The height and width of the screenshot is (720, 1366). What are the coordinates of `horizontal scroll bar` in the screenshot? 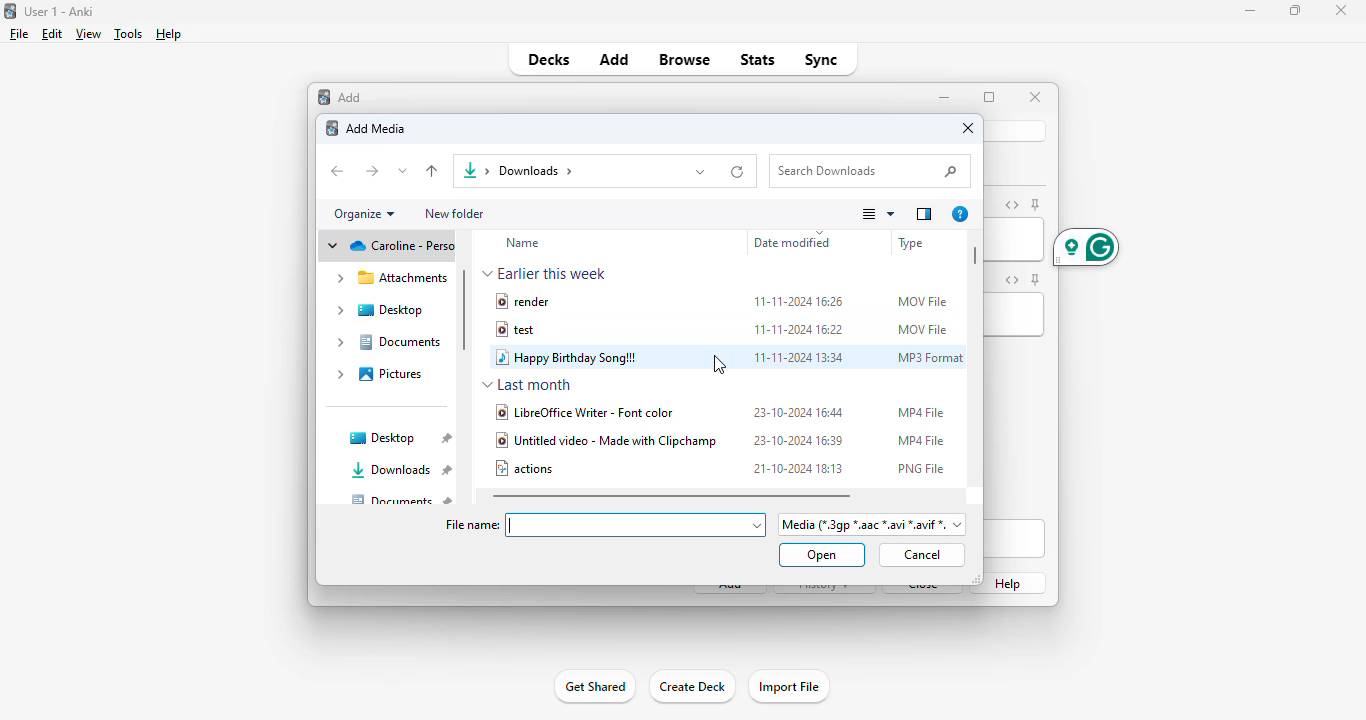 It's located at (671, 496).